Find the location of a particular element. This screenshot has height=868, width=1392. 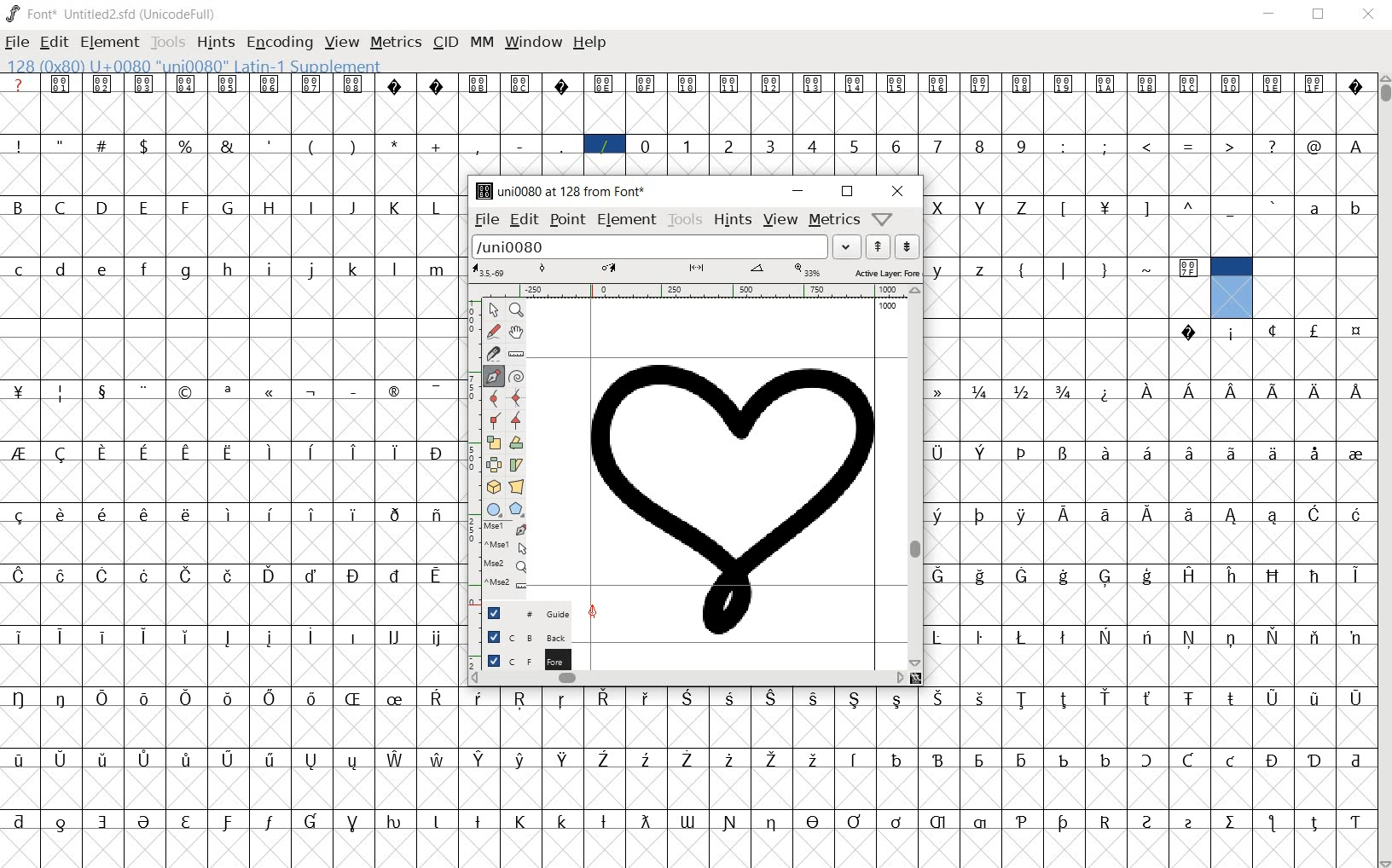

glyph is located at coordinates (396, 760).